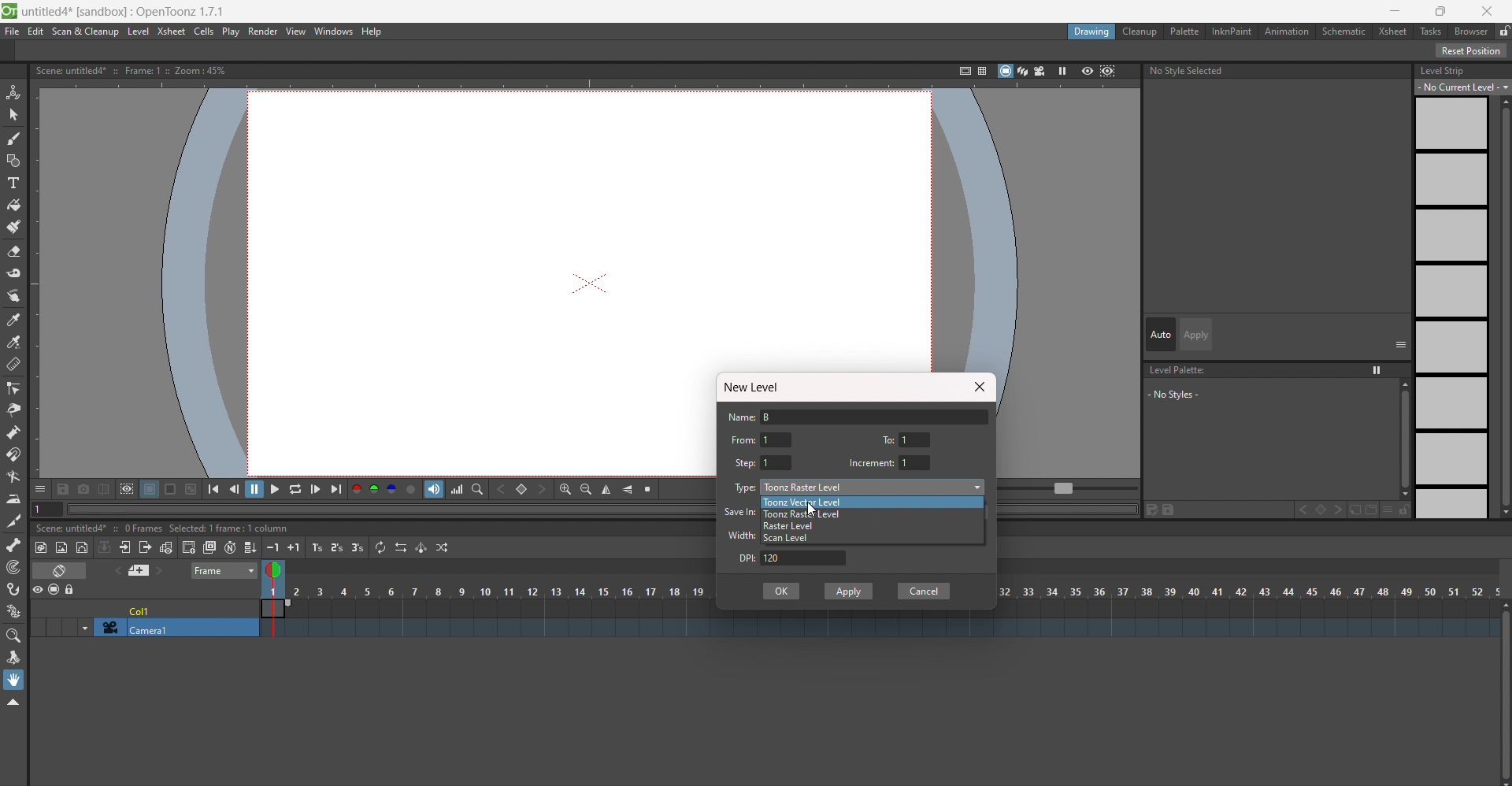 This screenshot has width=1512, height=786. What do you see at coordinates (237, 488) in the screenshot?
I see `previous frame` at bounding box center [237, 488].